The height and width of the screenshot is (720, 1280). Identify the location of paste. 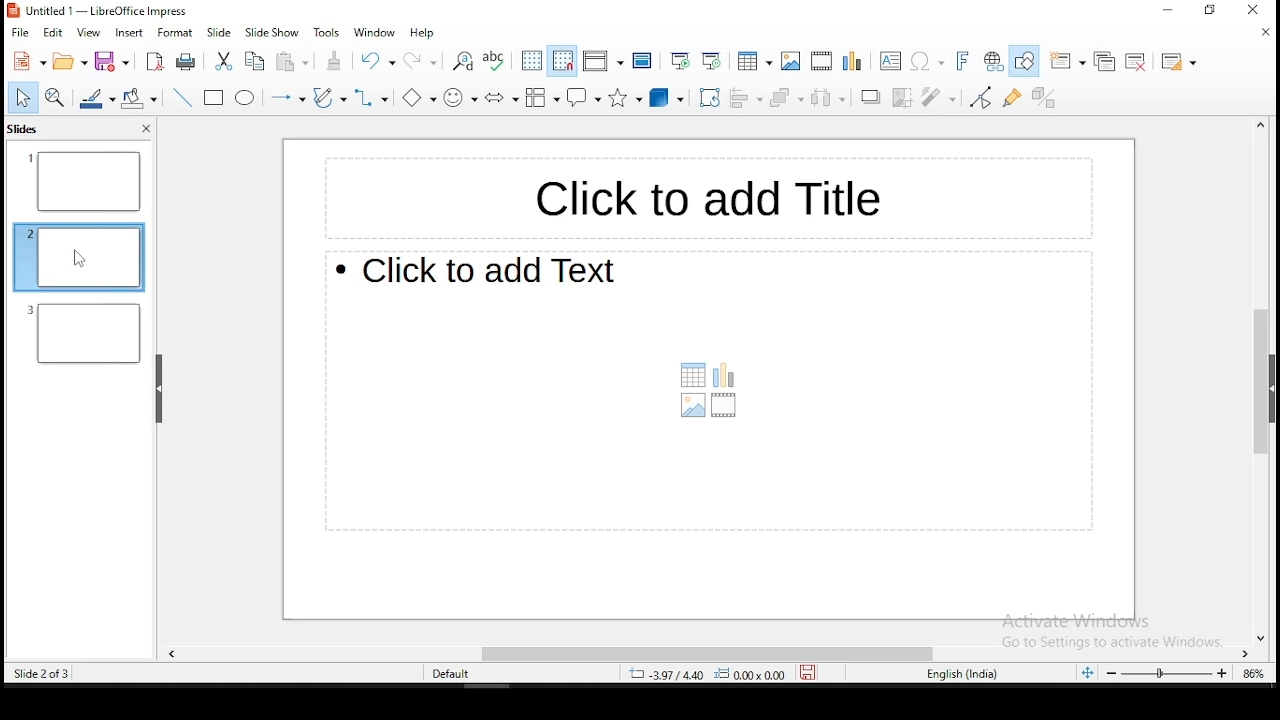
(292, 63).